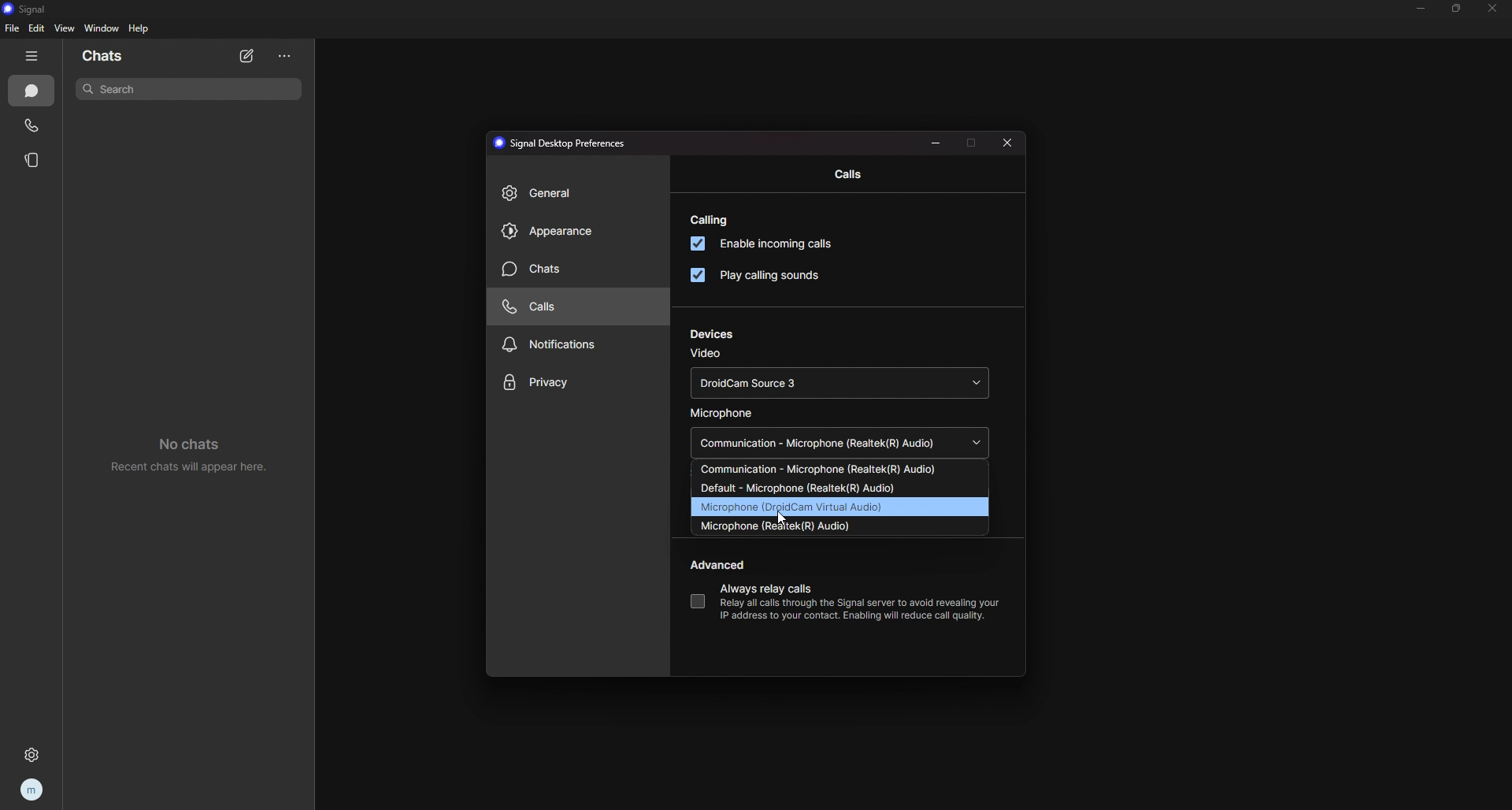 The image size is (1512, 810). What do you see at coordinates (65, 28) in the screenshot?
I see `view` at bounding box center [65, 28].